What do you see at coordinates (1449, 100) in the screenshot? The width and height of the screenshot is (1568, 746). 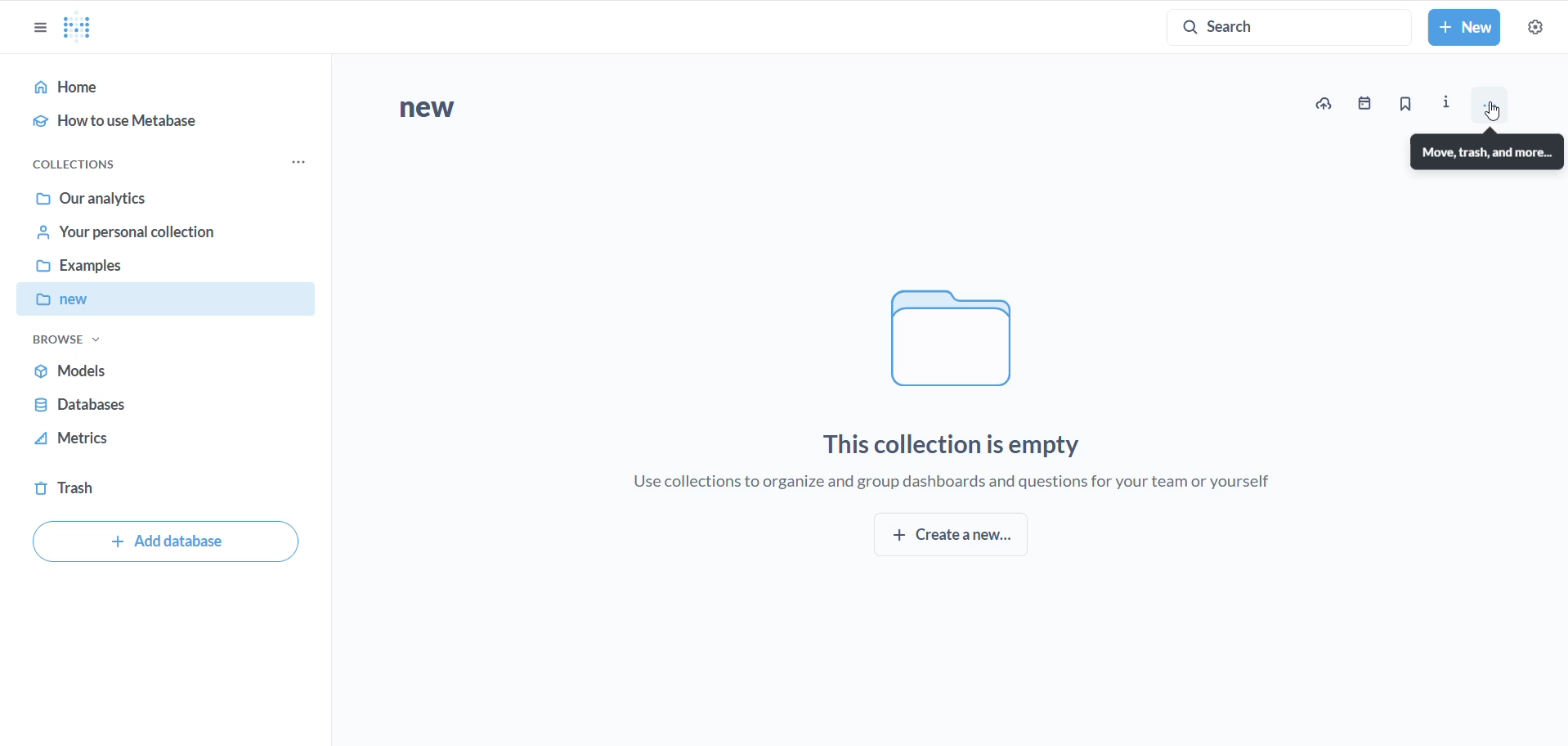 I see `info ` at bounding box center [1449, 100].